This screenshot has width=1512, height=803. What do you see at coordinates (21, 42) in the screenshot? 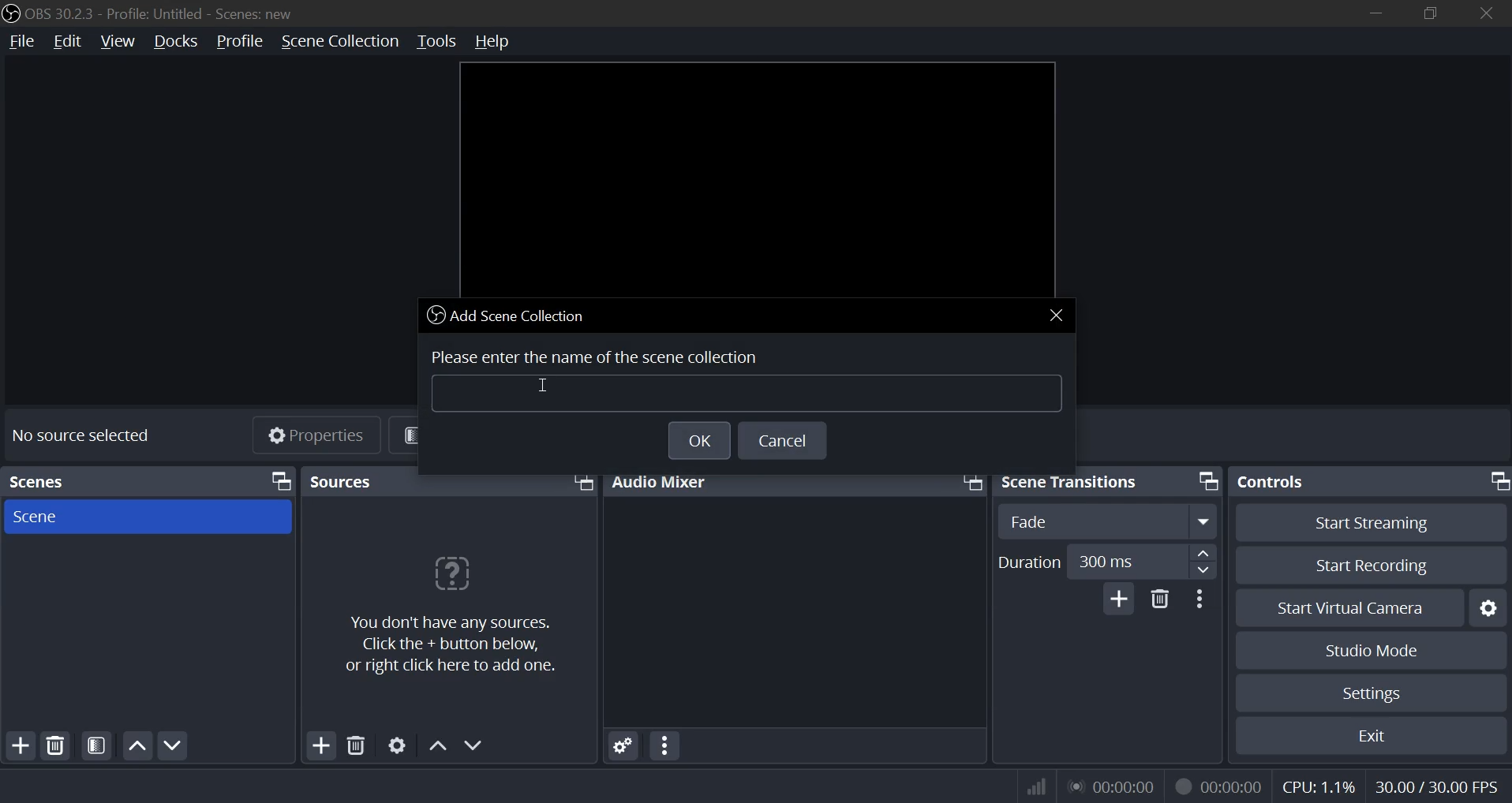
I see `file` at bounding box center [21, 42].